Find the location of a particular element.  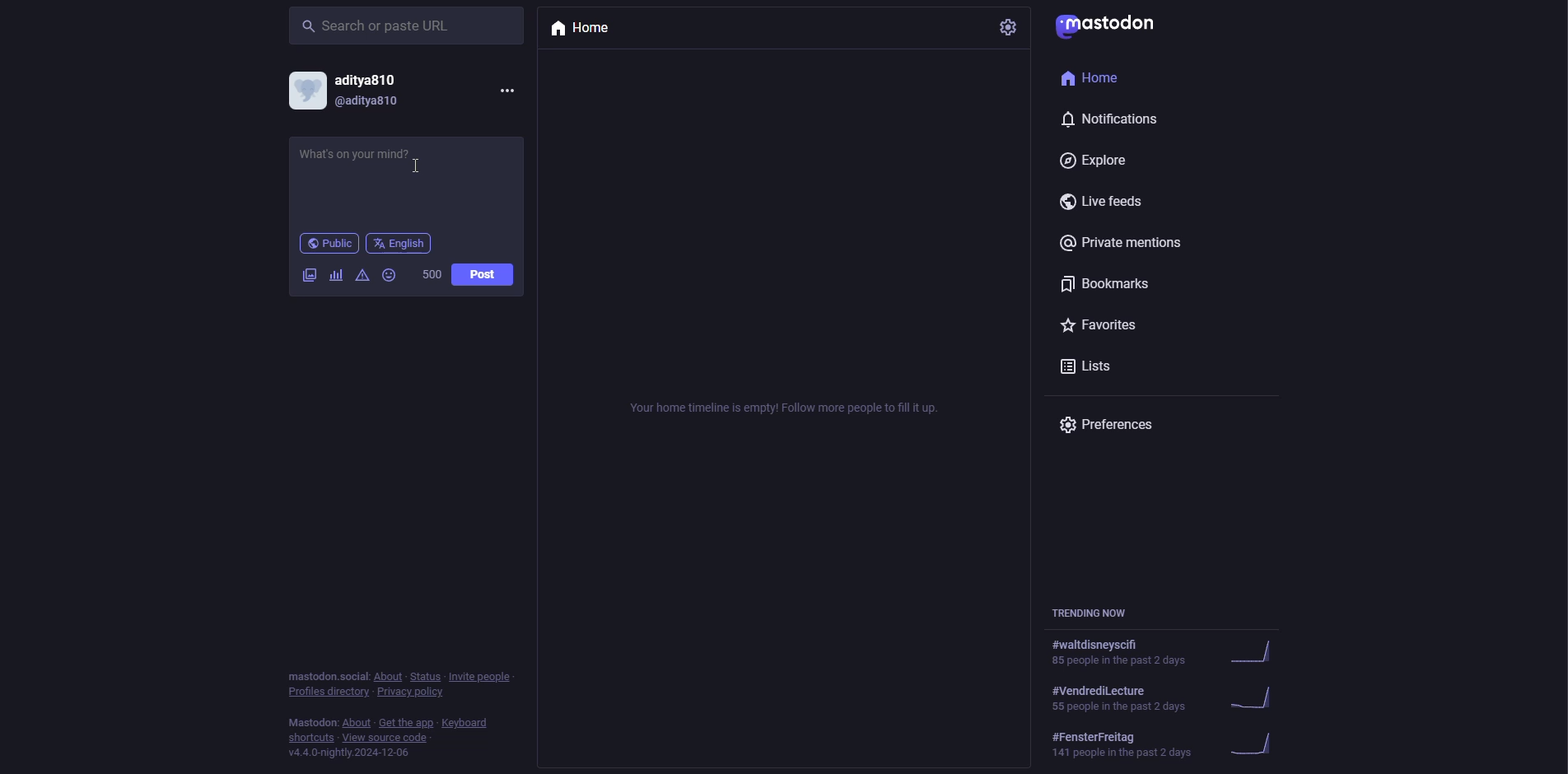

info is located at coordinates (390, 716).